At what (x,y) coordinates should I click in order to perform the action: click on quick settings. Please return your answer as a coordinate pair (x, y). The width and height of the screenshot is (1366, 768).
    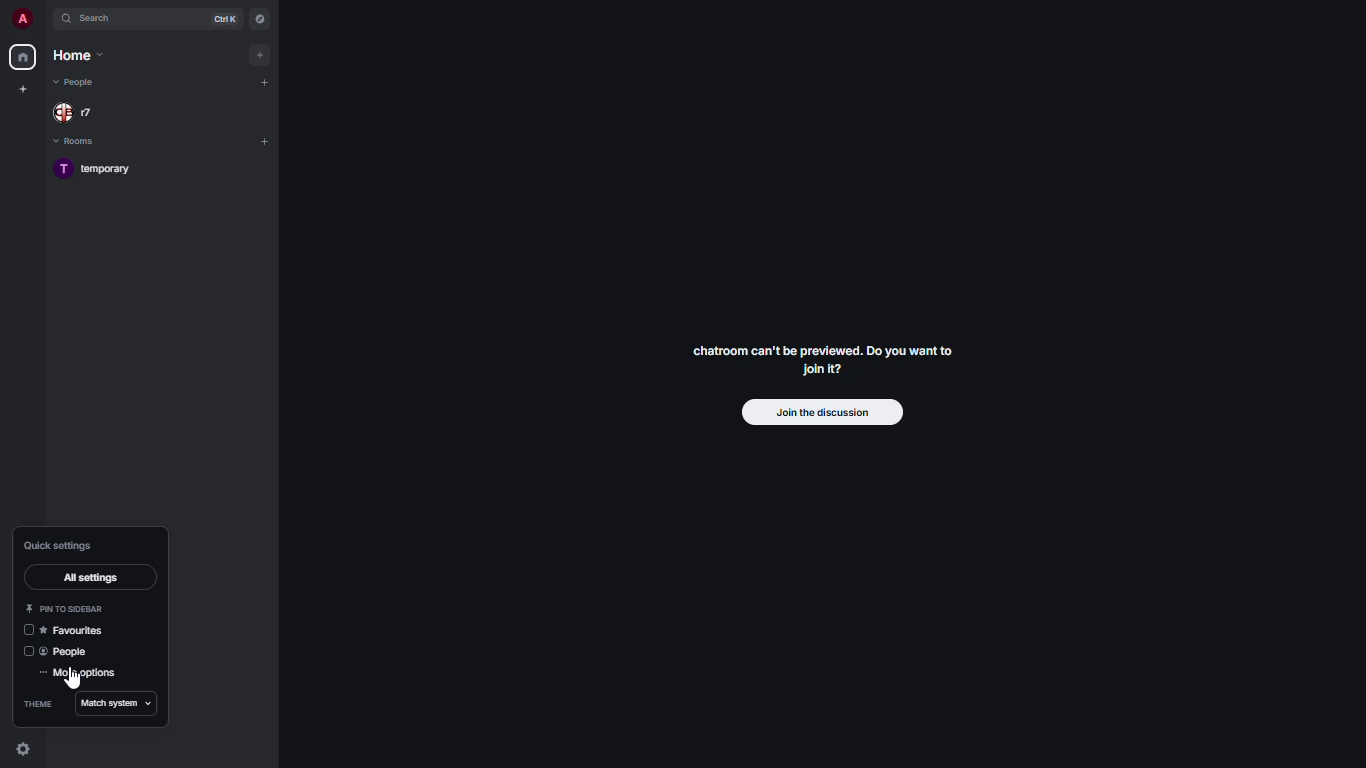
    Looking at the image, I should click on (60, 544).